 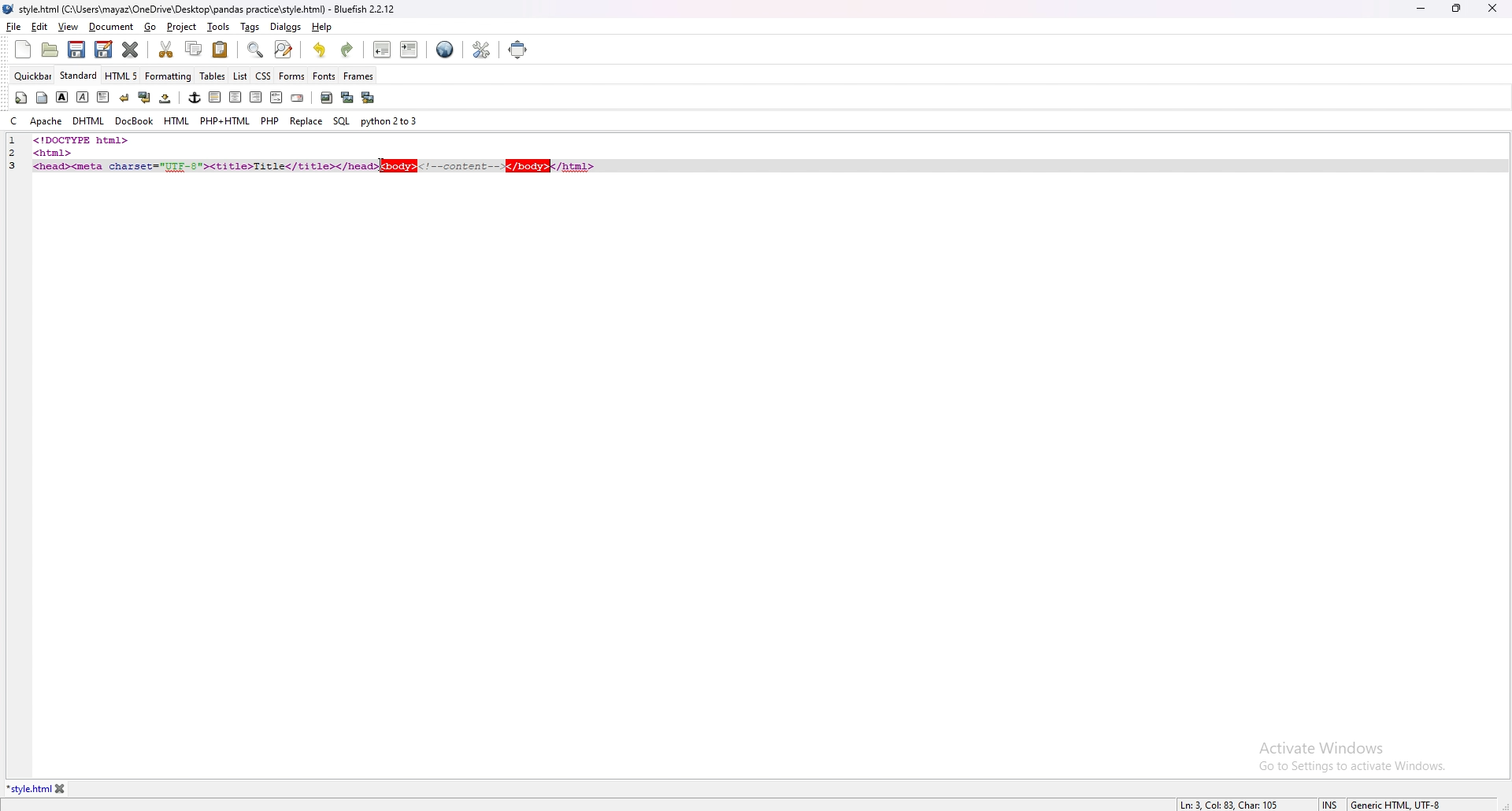 What do you see at coordinates (83, 96) in the screenshot?
I see `italic` at bounding box center [83, 96].